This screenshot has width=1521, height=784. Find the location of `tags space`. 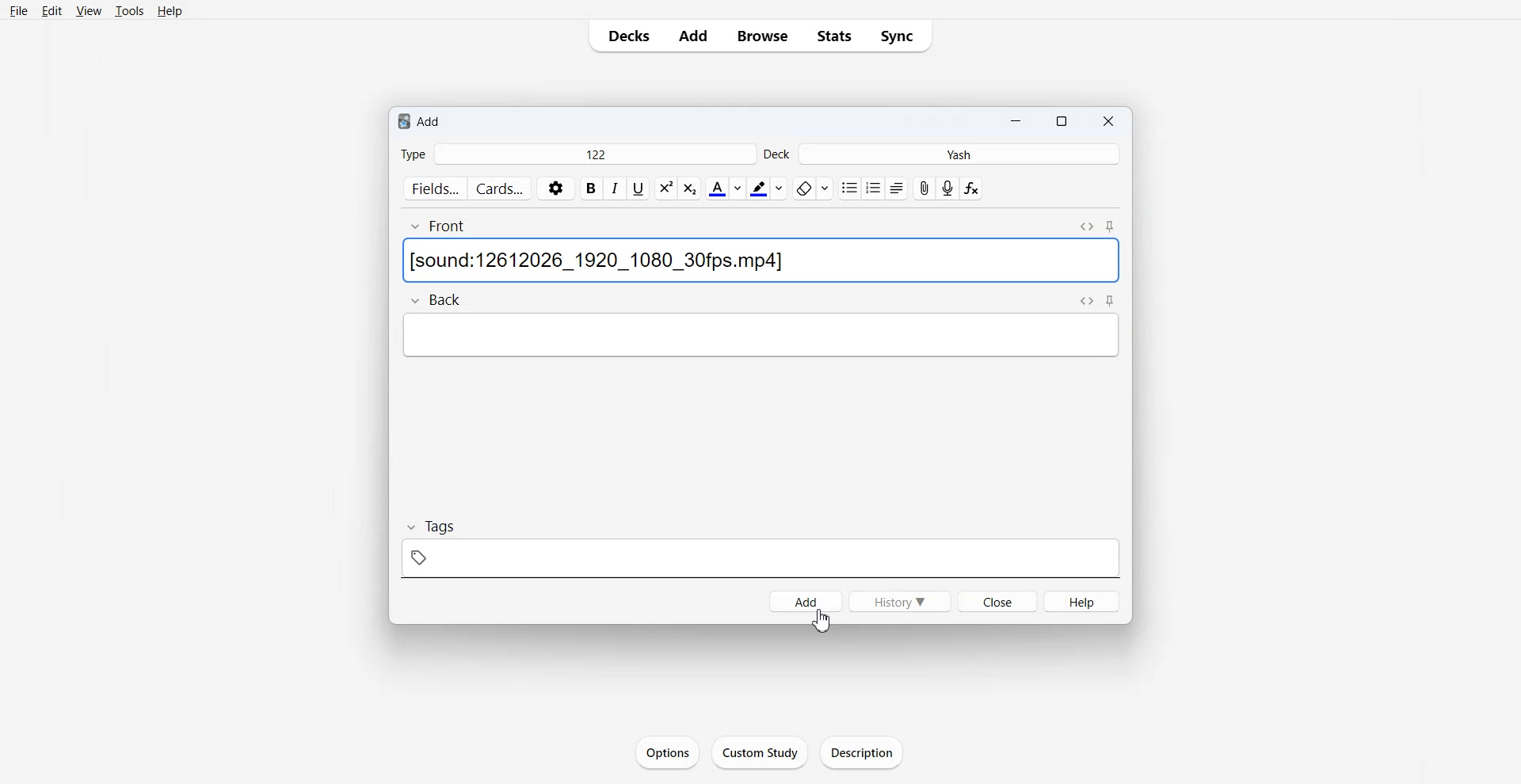

tags space is located at coordinates (759, 560).